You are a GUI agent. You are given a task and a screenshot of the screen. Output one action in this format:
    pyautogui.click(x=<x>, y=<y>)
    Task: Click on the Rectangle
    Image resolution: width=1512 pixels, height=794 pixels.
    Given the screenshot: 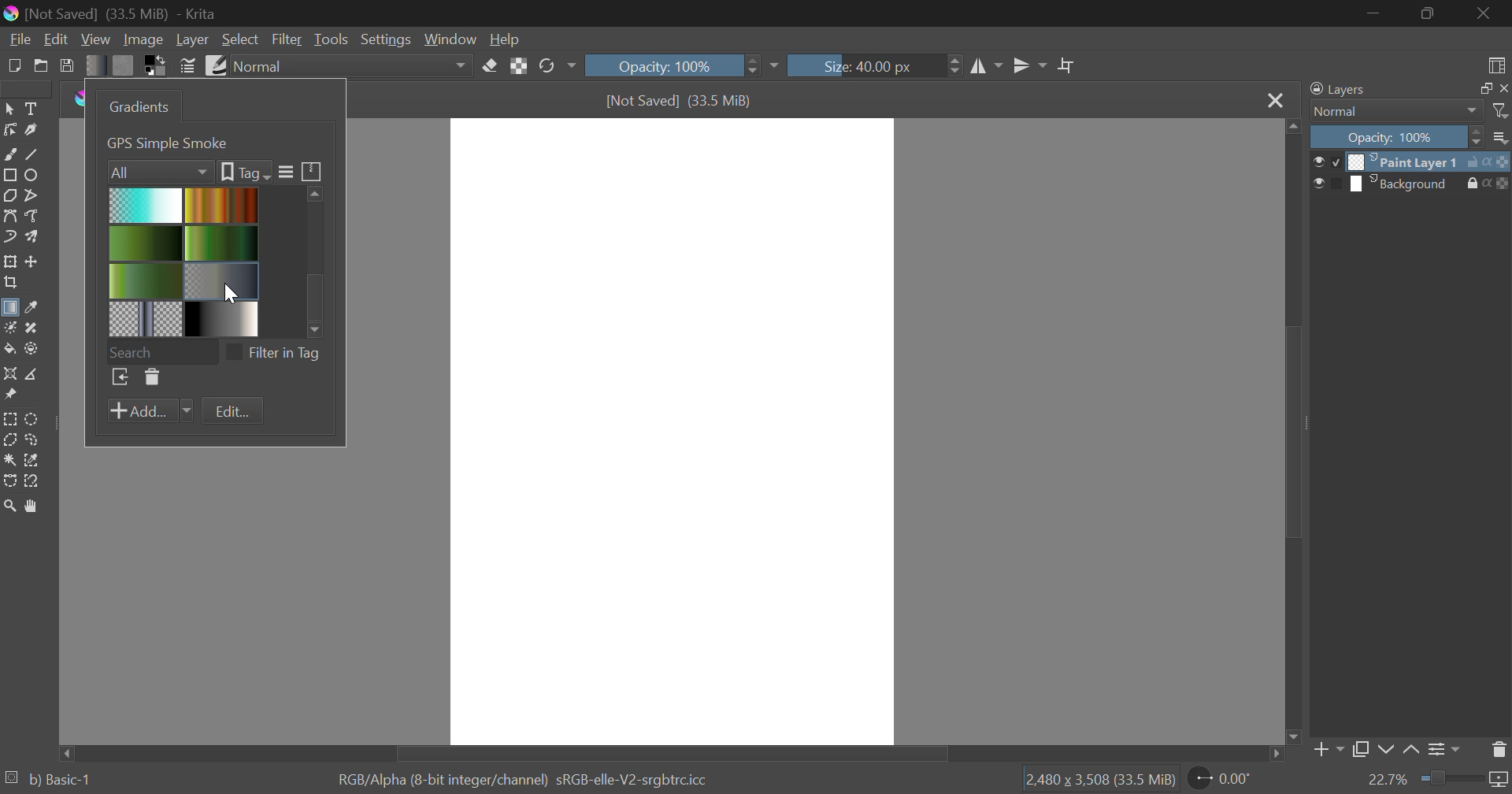 What is the action you would take?
    pyautogui.click(x=9, y=175)
    